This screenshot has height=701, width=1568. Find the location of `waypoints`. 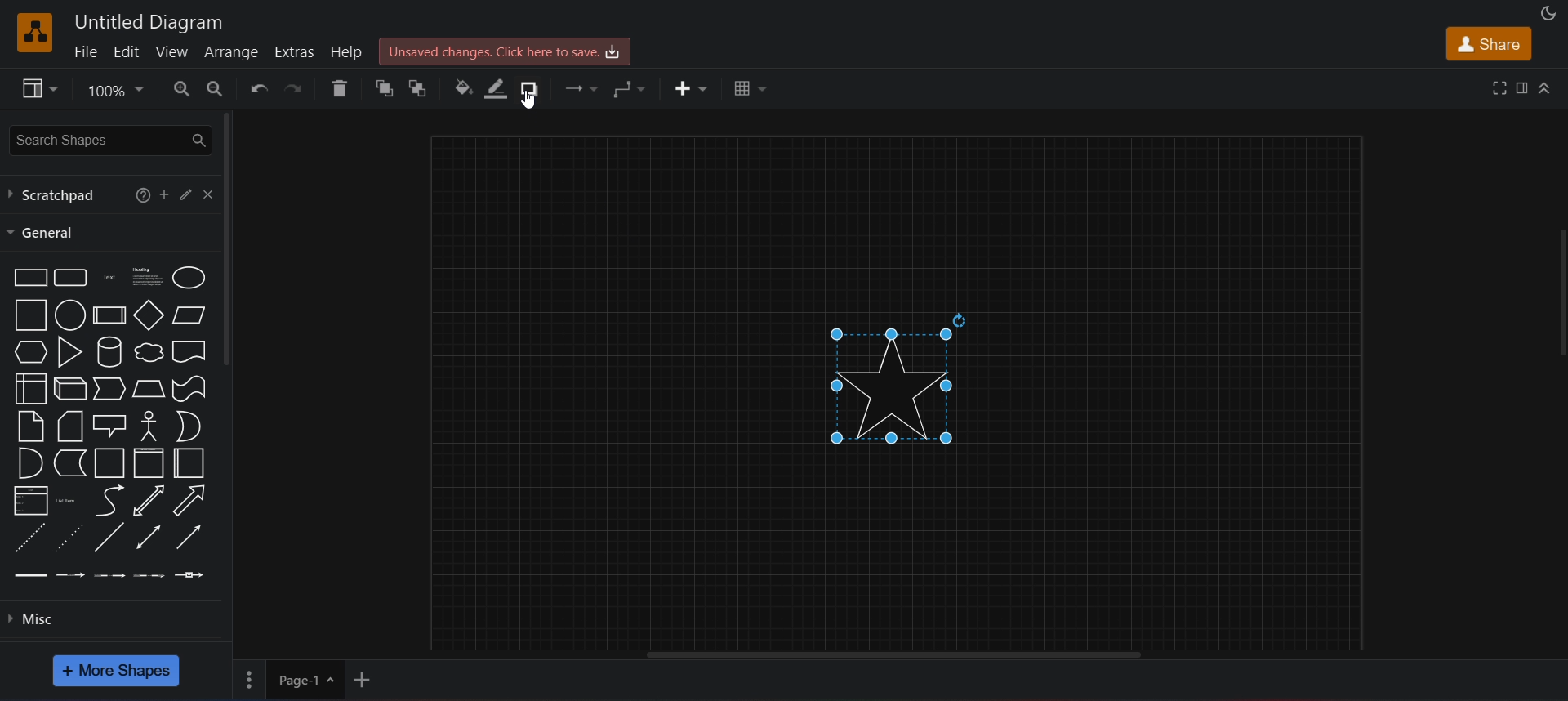

waypoints is located at coordinates (632, 90).